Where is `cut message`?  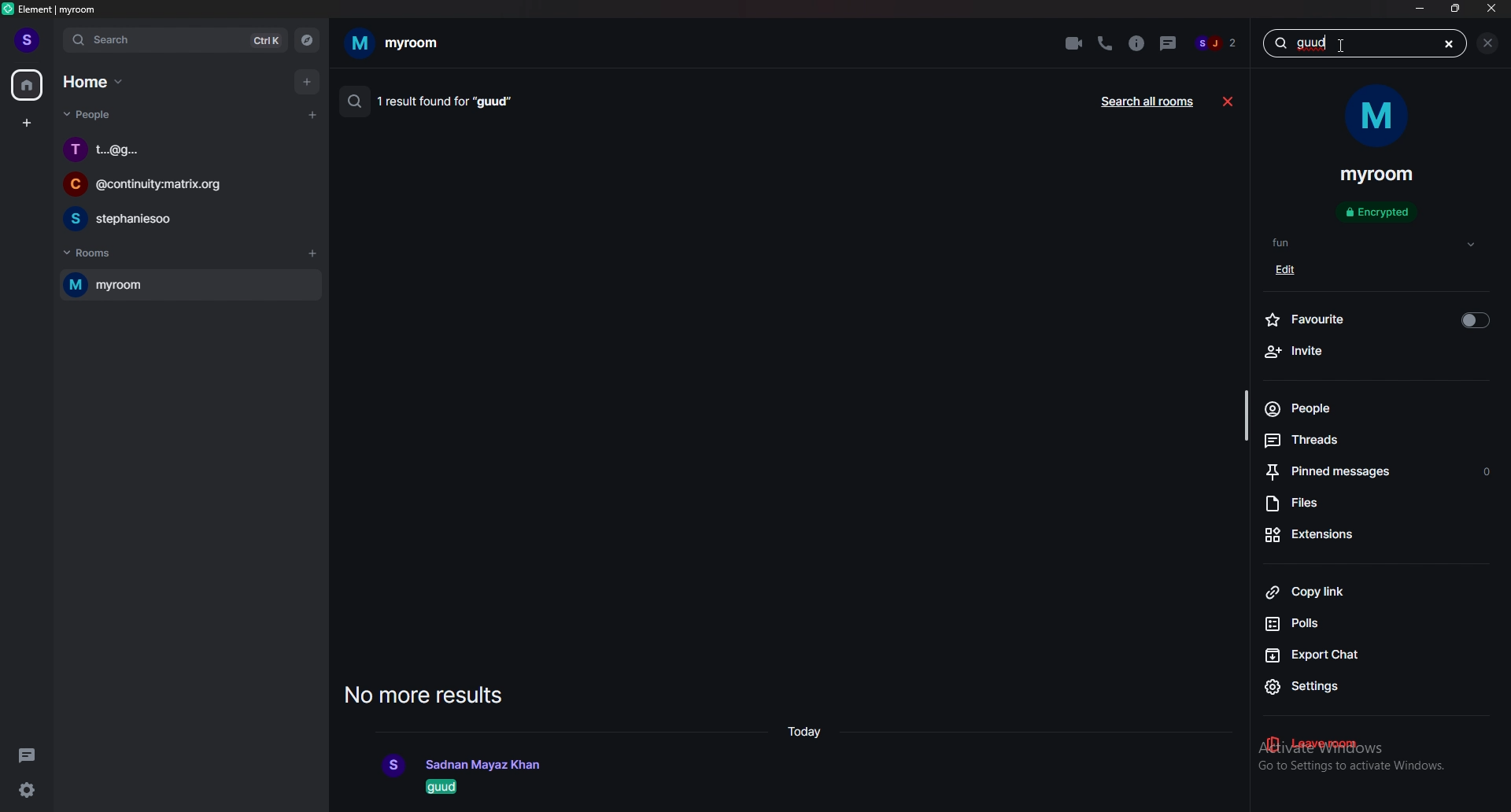
cut message is located at coordinates (1446, 42).